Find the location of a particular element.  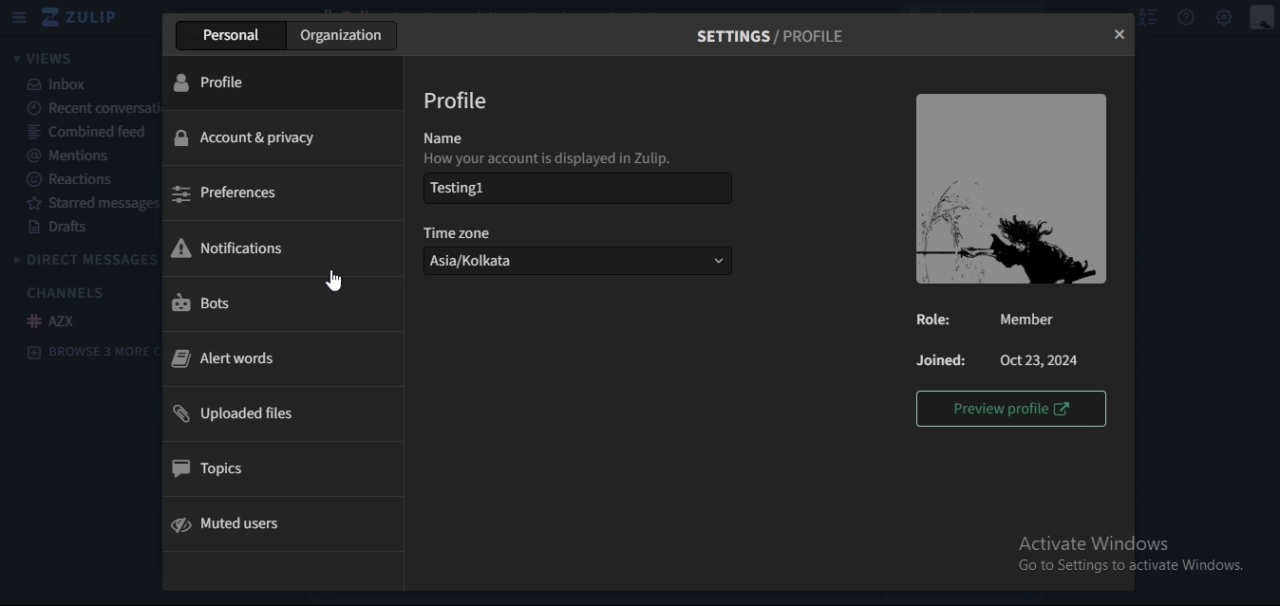

profile is located at coordinates (454, 101).